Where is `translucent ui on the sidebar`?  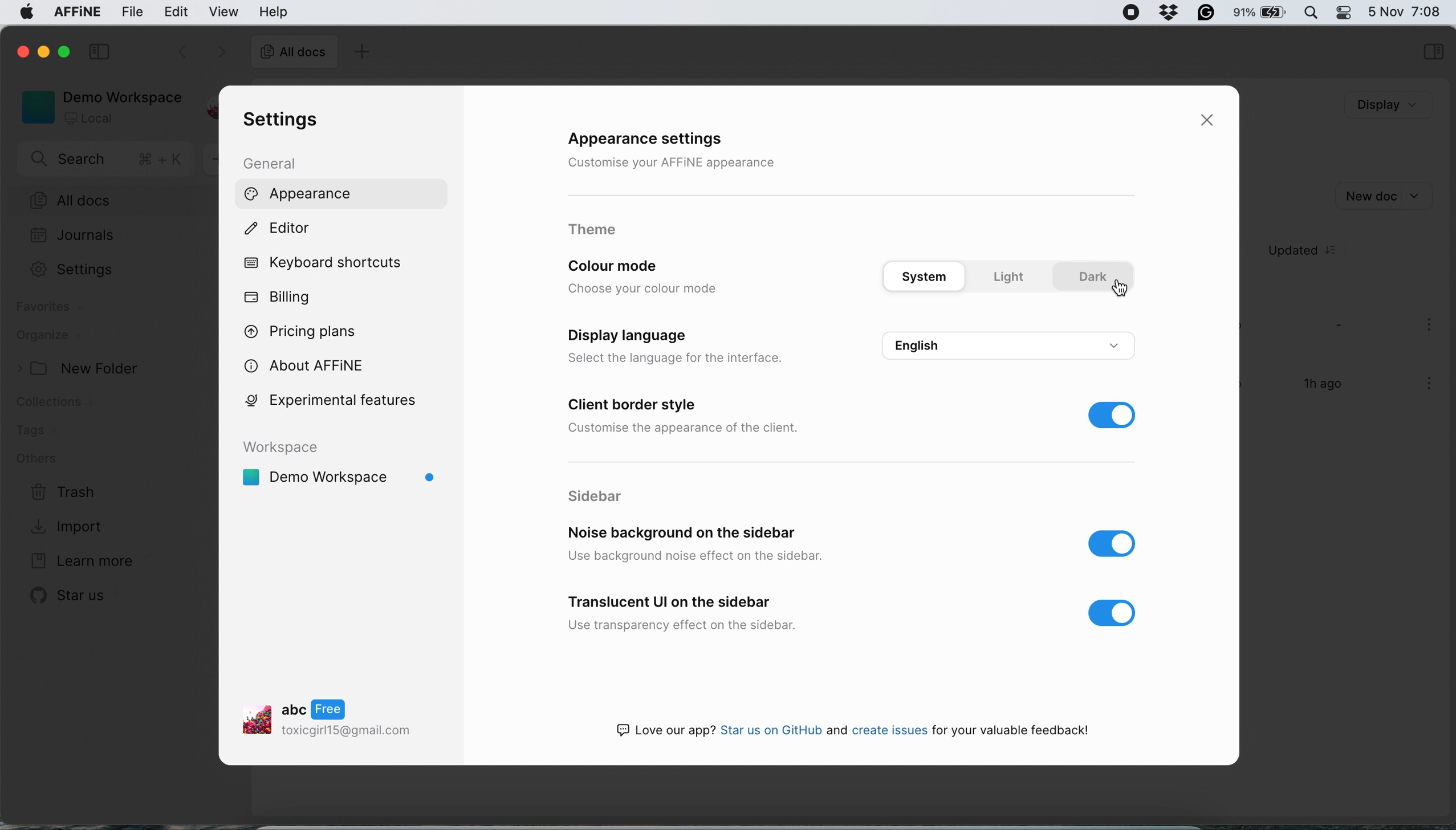 translucent ui on the sidebar is located at coordinates (673, 601).